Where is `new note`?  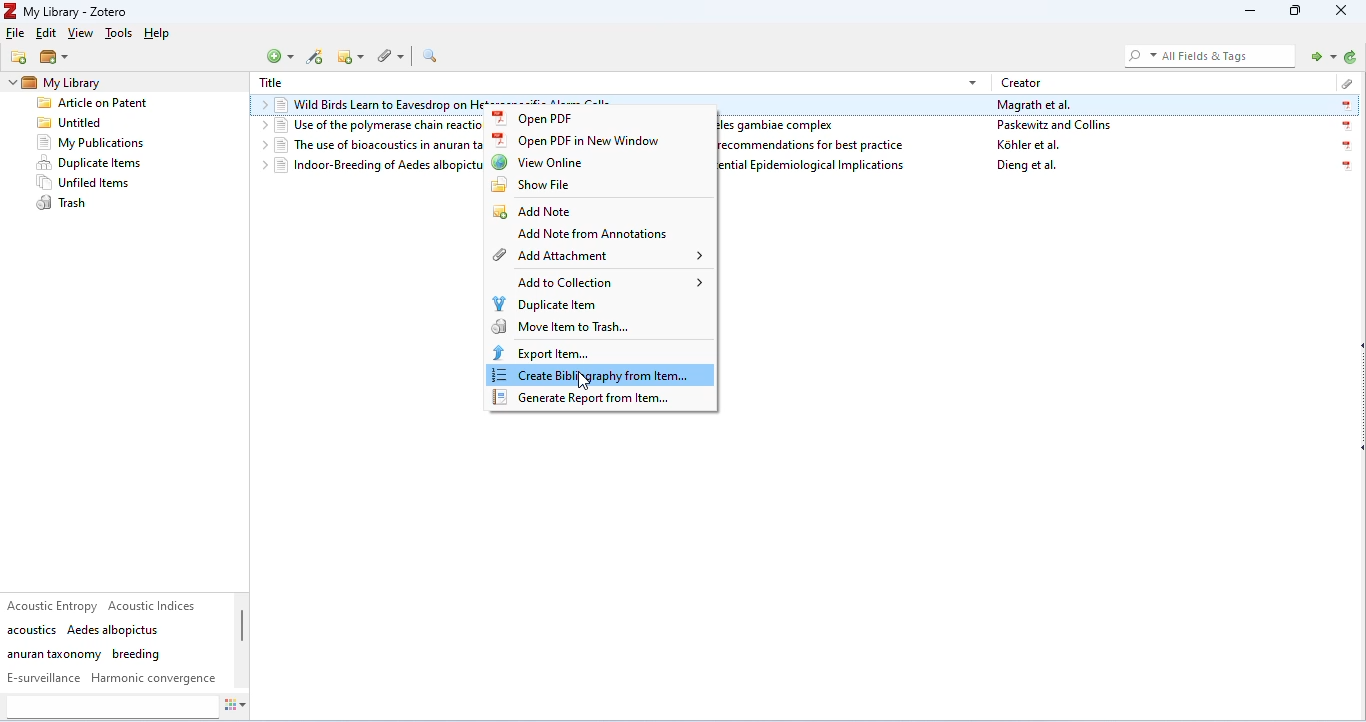
new note is located at coordinates (350, 56).